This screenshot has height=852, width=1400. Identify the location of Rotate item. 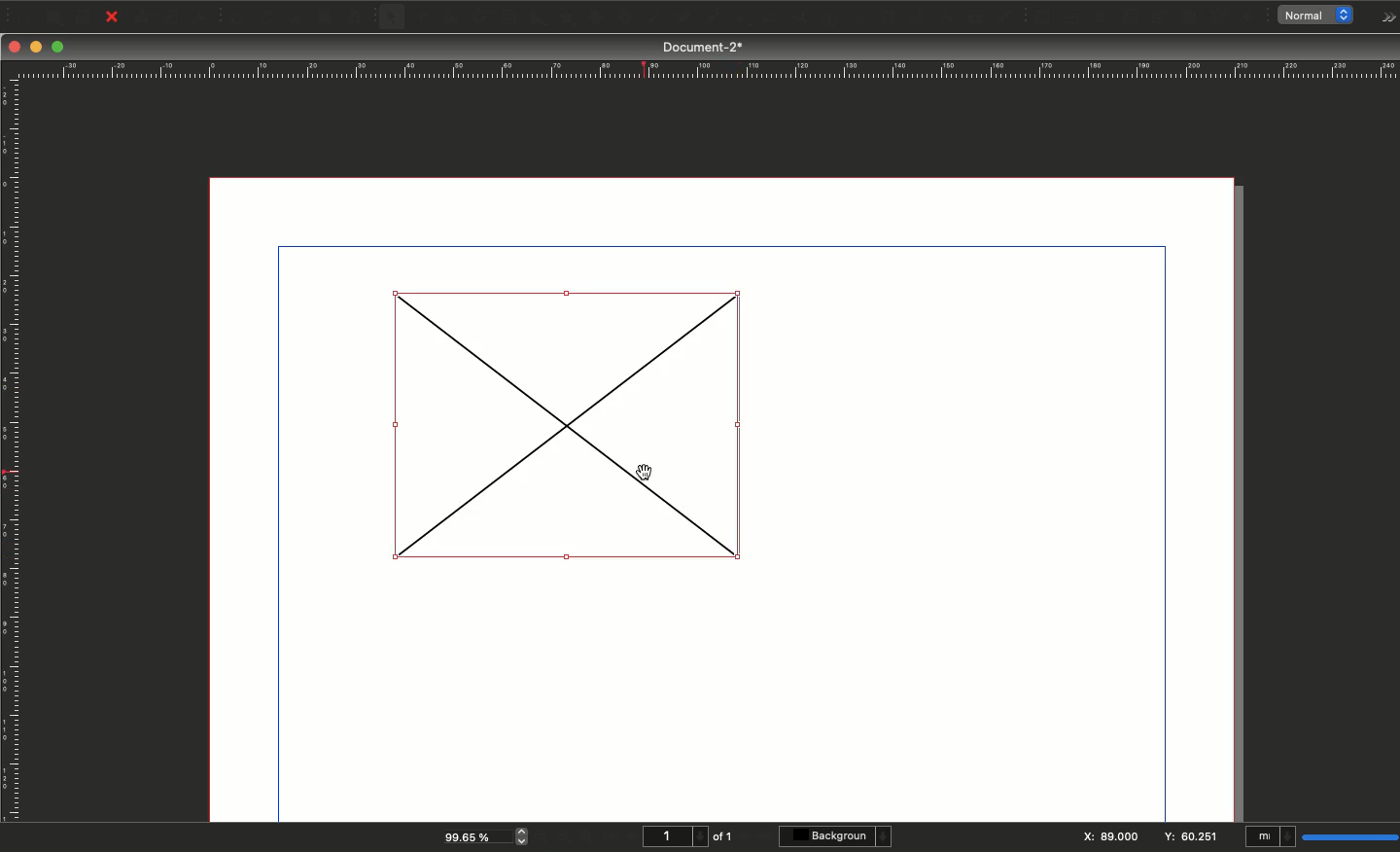
(740, 20).